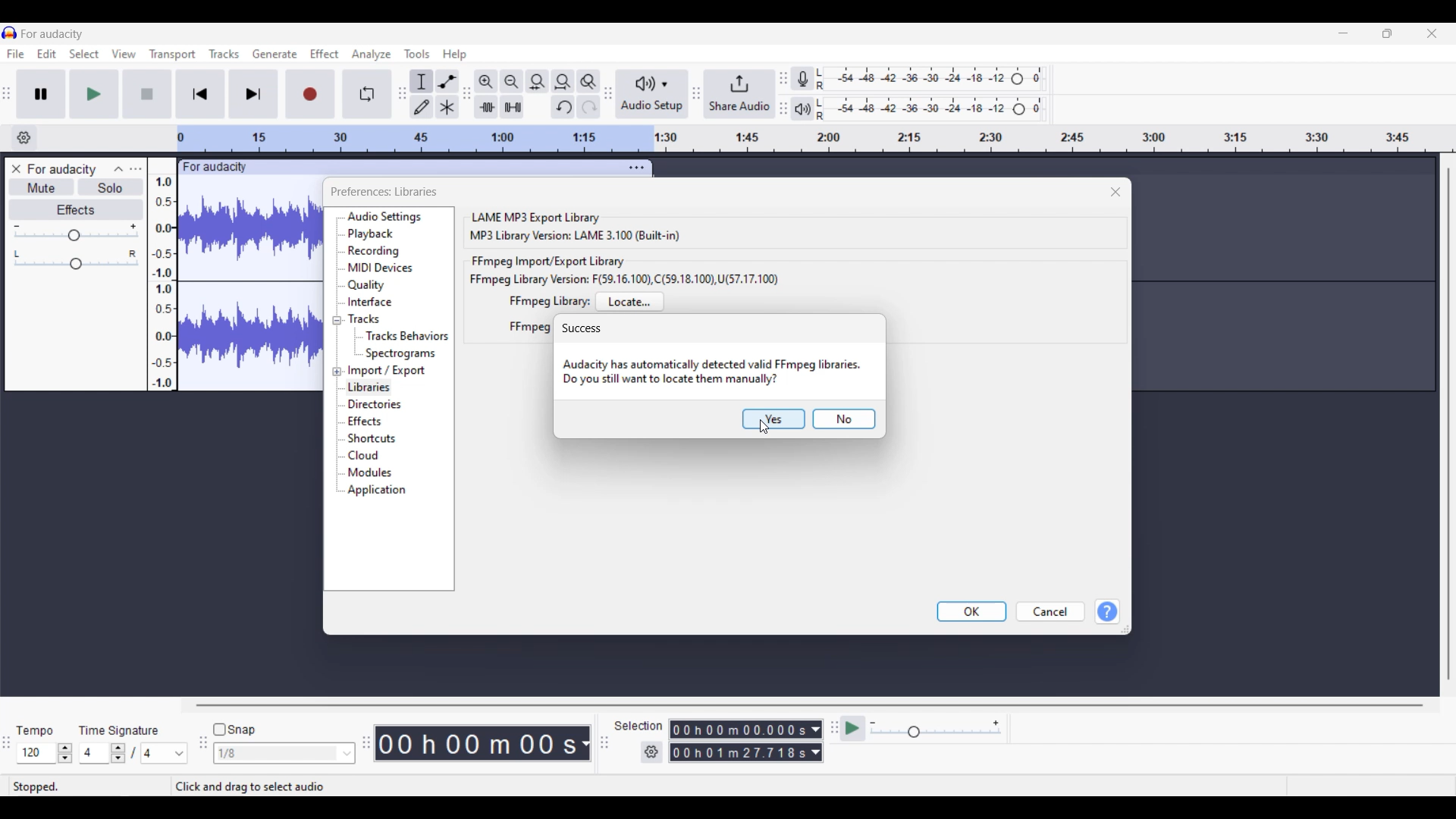  What do you see at coordinates (76, 209) in the screenshot?
I see `Effects` at bounding box center [76, 209].